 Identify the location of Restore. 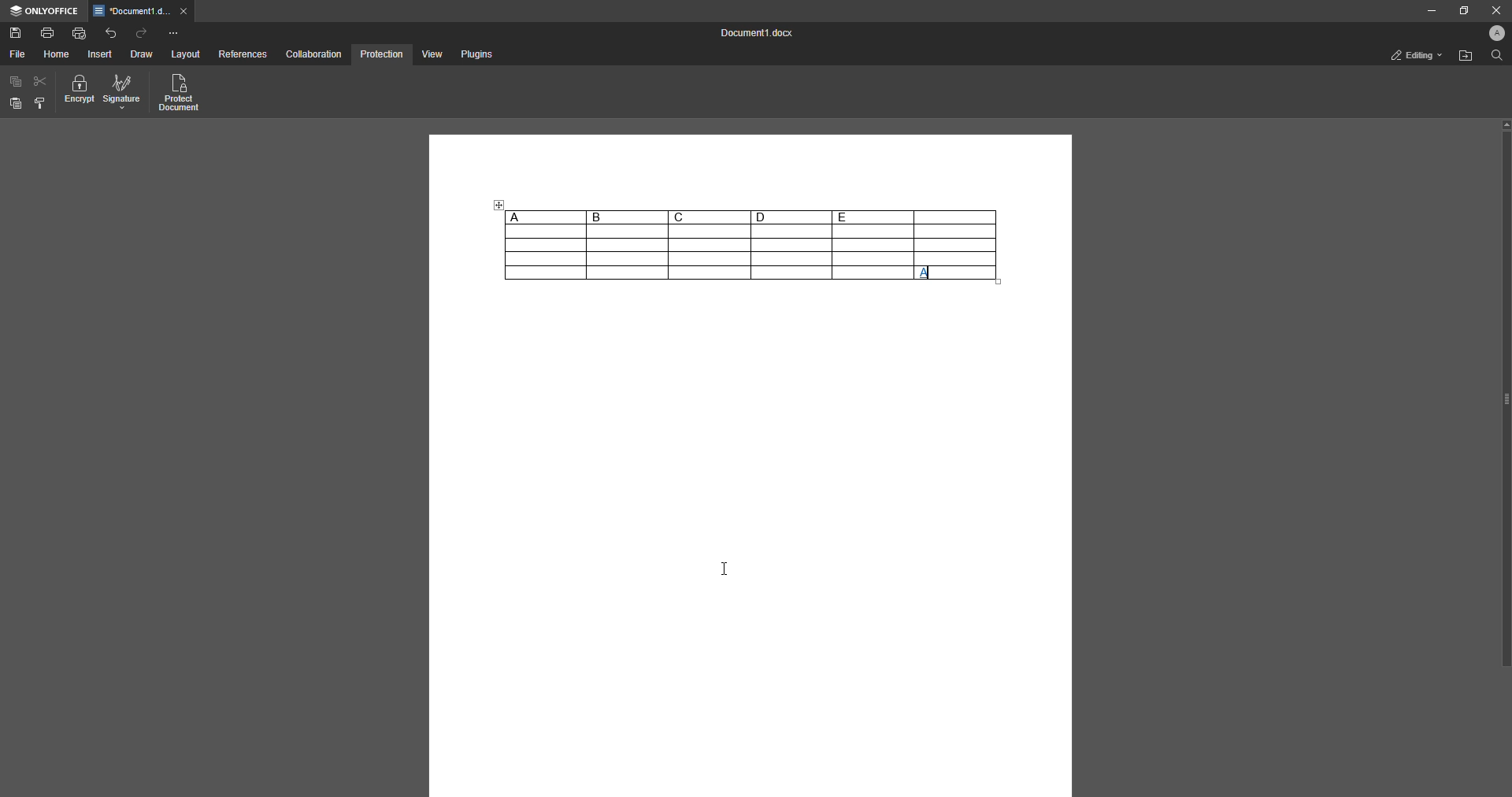
(1460, 10).